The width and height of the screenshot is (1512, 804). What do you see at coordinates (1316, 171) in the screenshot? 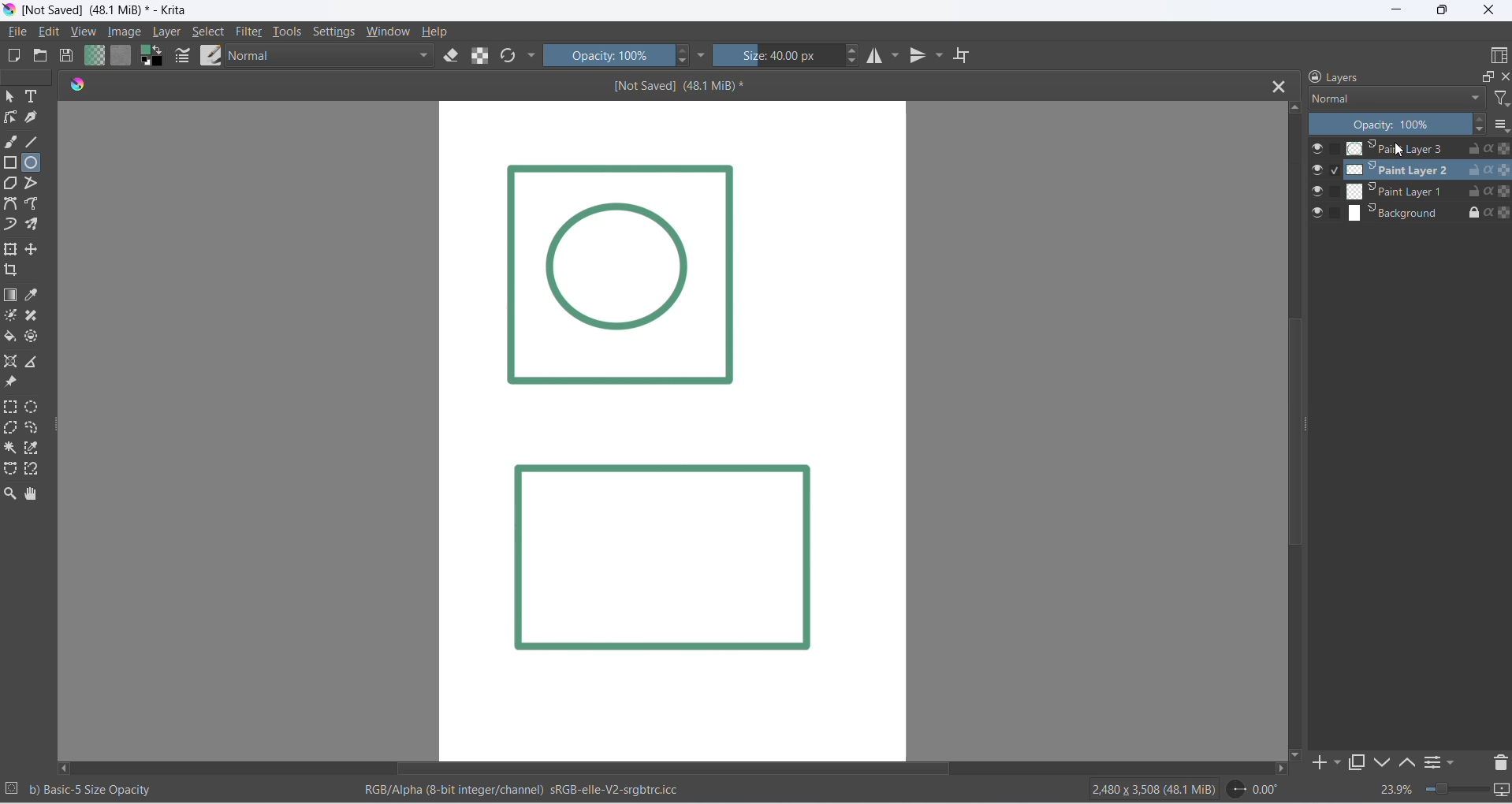
I see `visibilty` at bounding box center [1316, 171].